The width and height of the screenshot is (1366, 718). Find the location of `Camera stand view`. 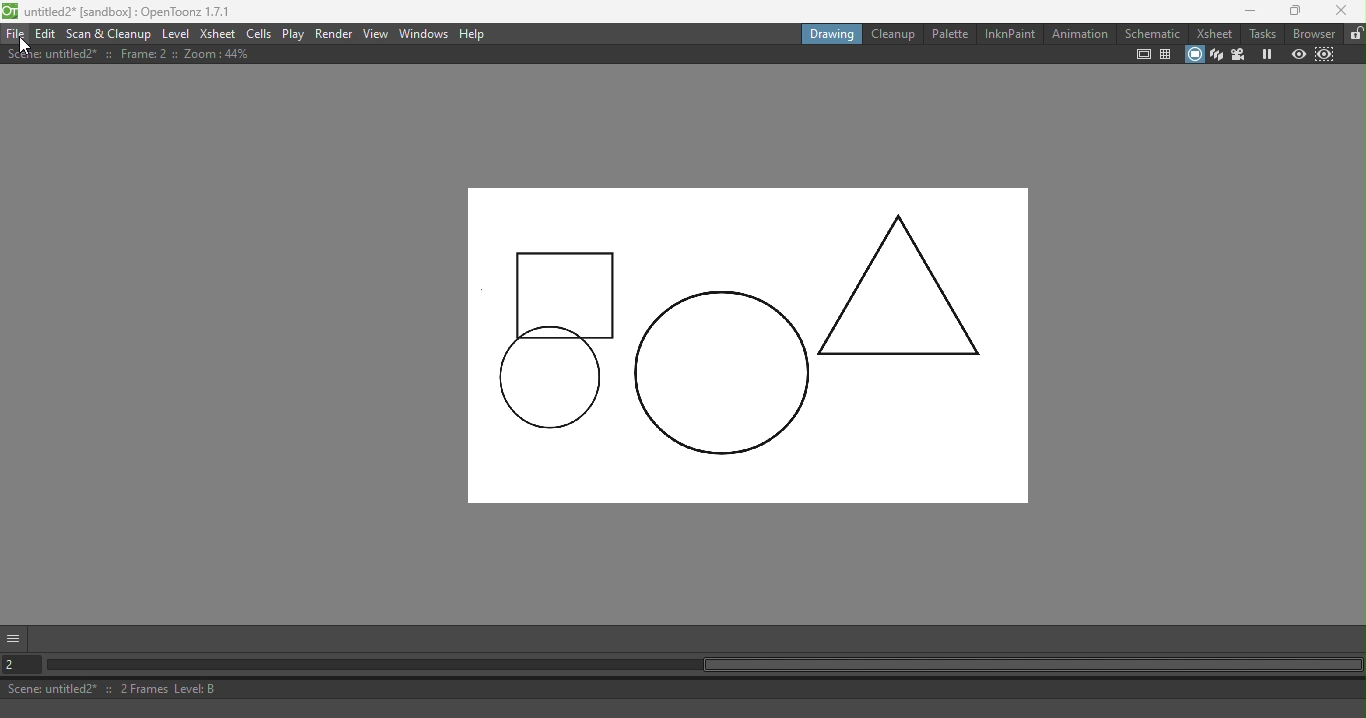

Camera stand view is located at coordinates (1193, 56).